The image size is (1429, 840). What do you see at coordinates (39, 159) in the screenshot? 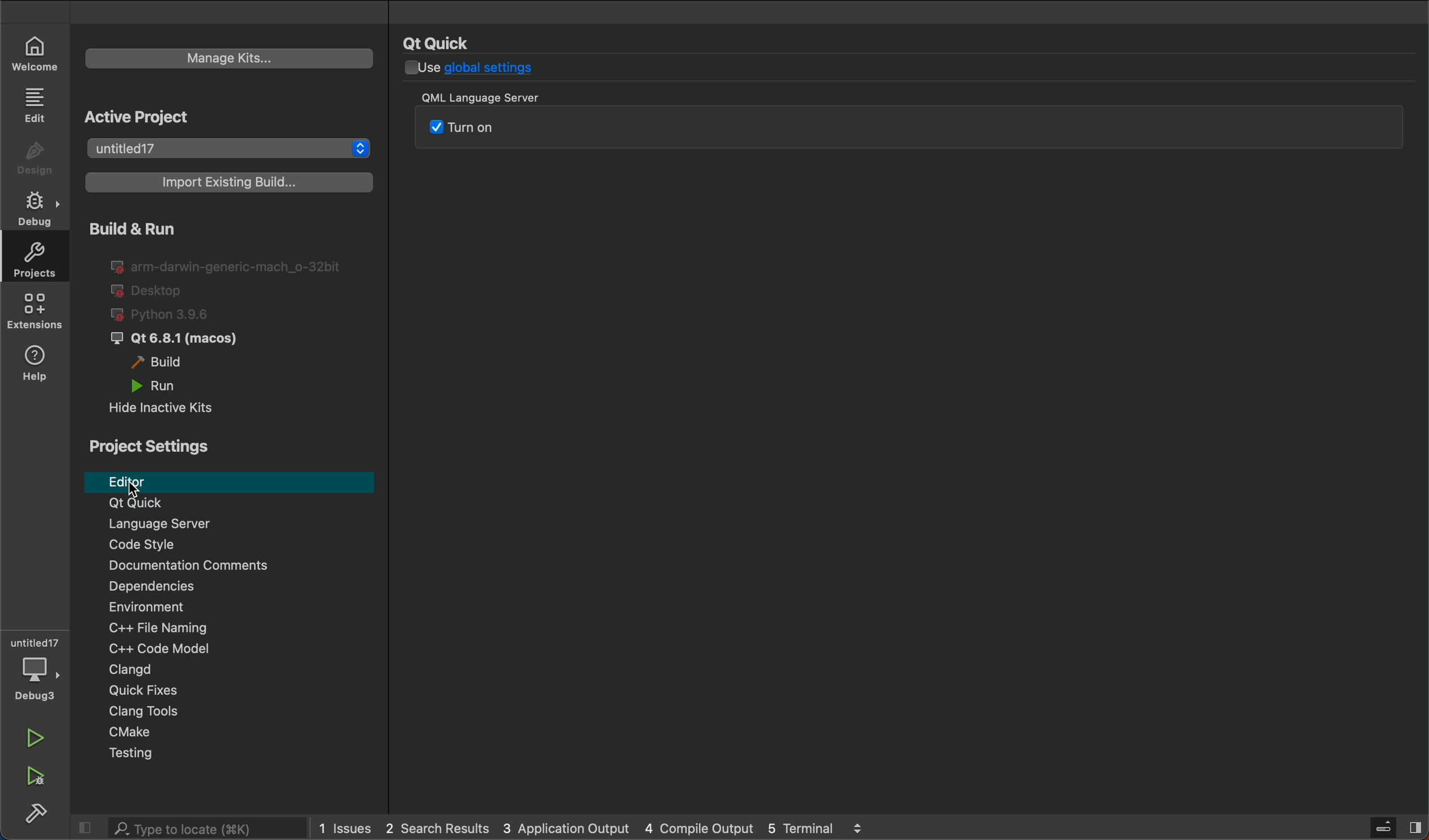
I see `design` at bounding box center [39, 159].